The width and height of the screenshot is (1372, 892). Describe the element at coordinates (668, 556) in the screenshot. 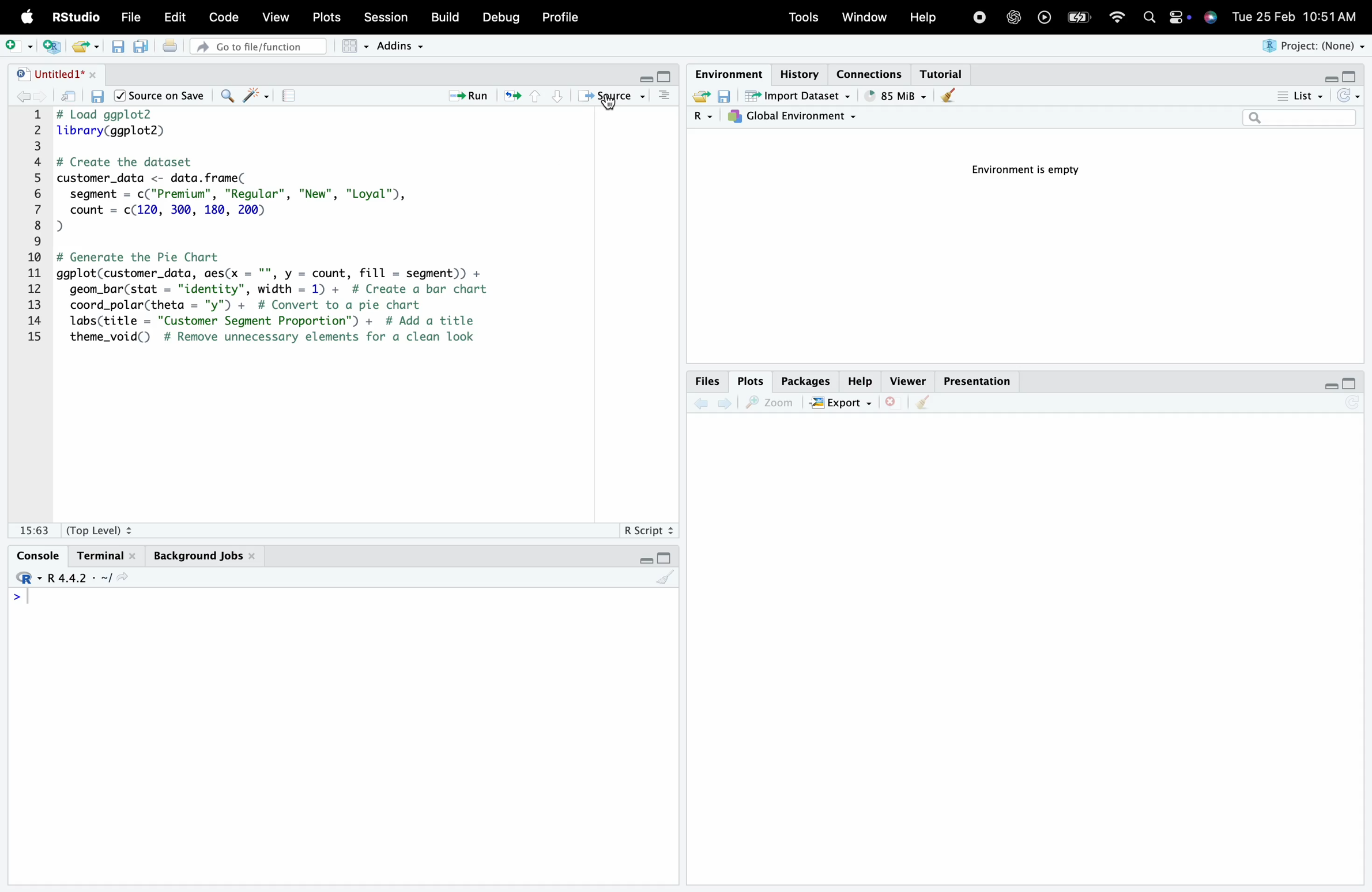

I see `maximise` at that location.